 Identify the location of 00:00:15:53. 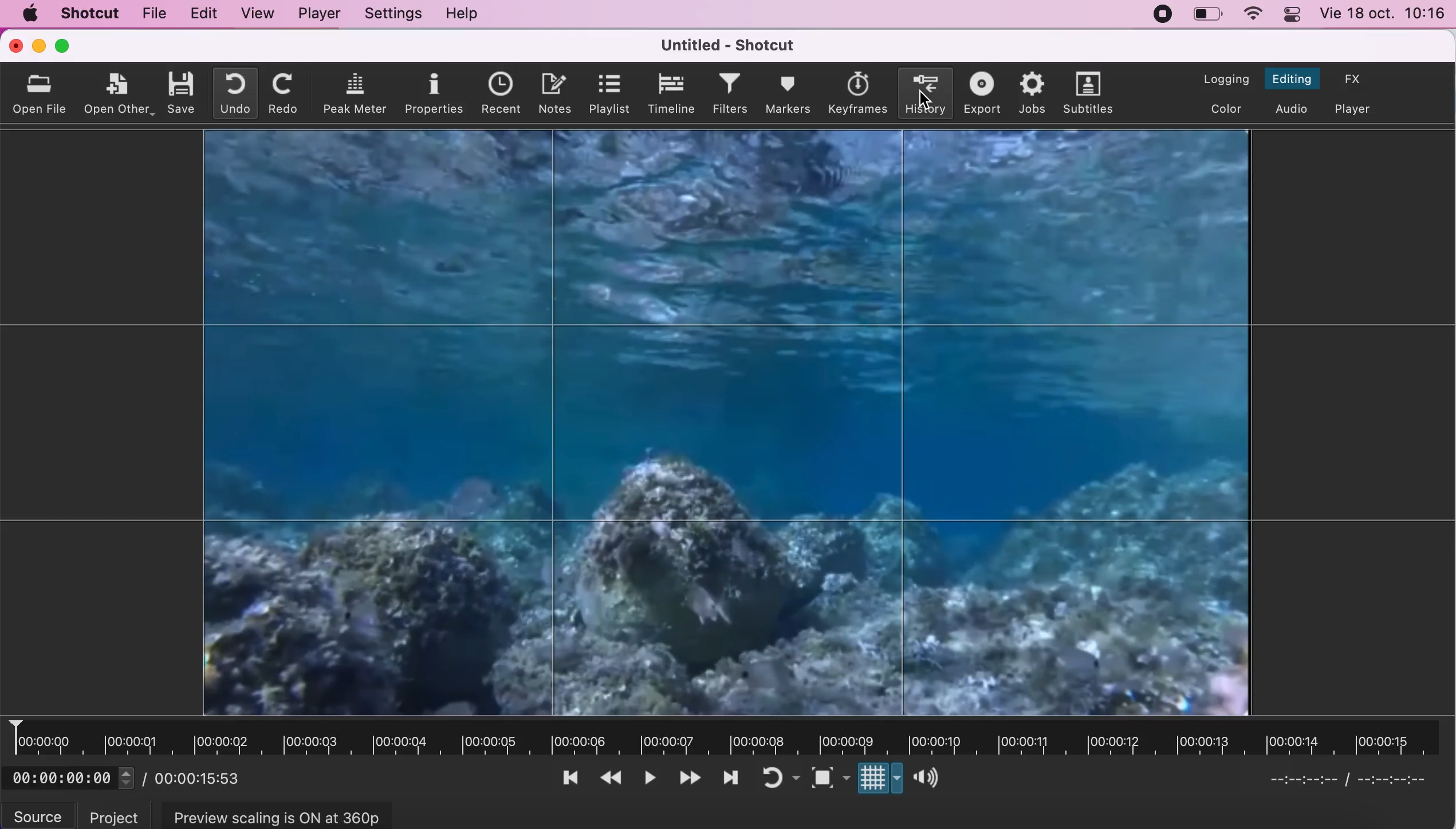
(202, 779).